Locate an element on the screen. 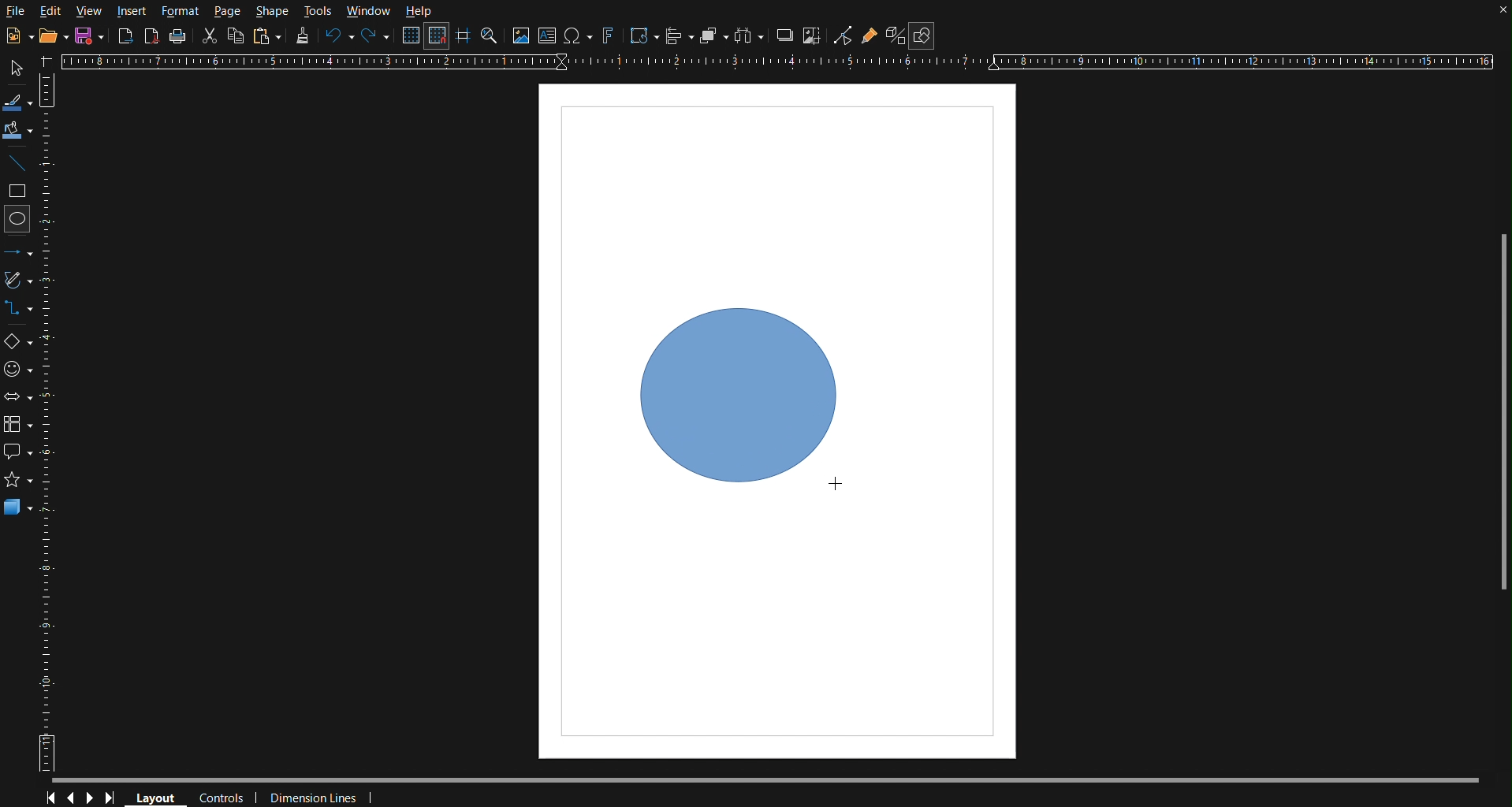  Crop Images is located at coordinates (814, 36).